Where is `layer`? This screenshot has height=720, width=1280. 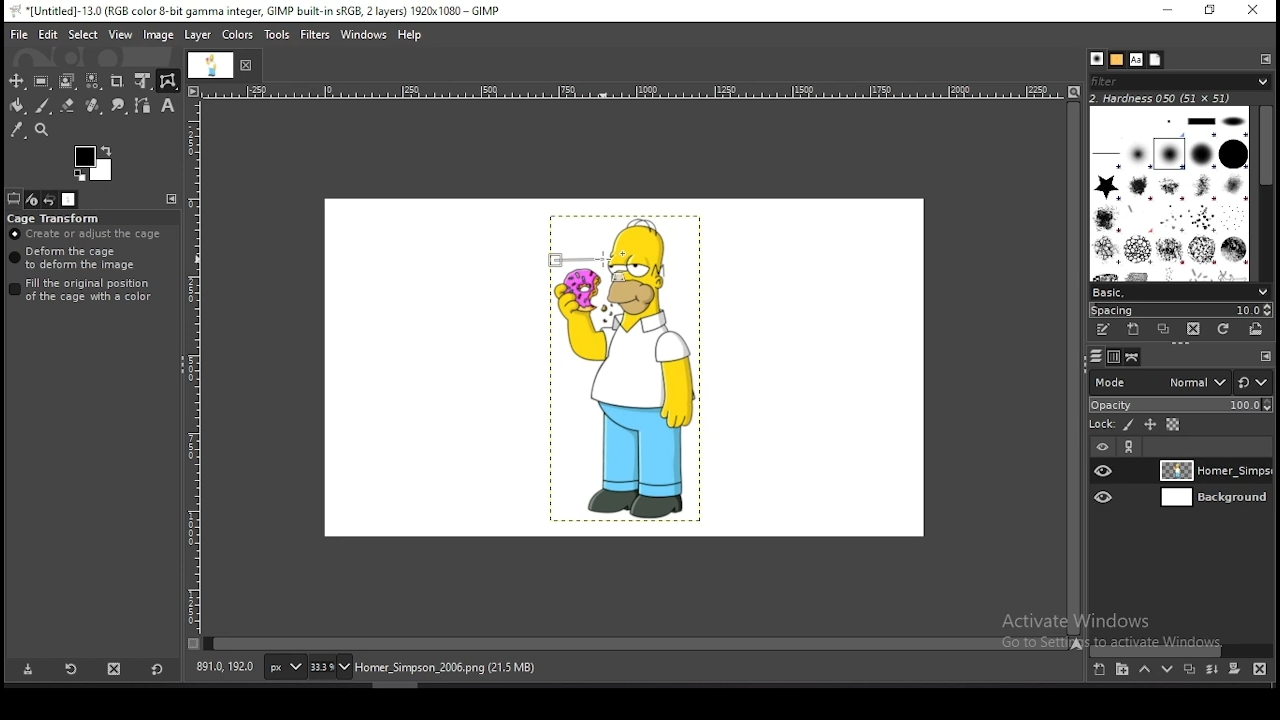
layer is located at coordinates (1211, 499).